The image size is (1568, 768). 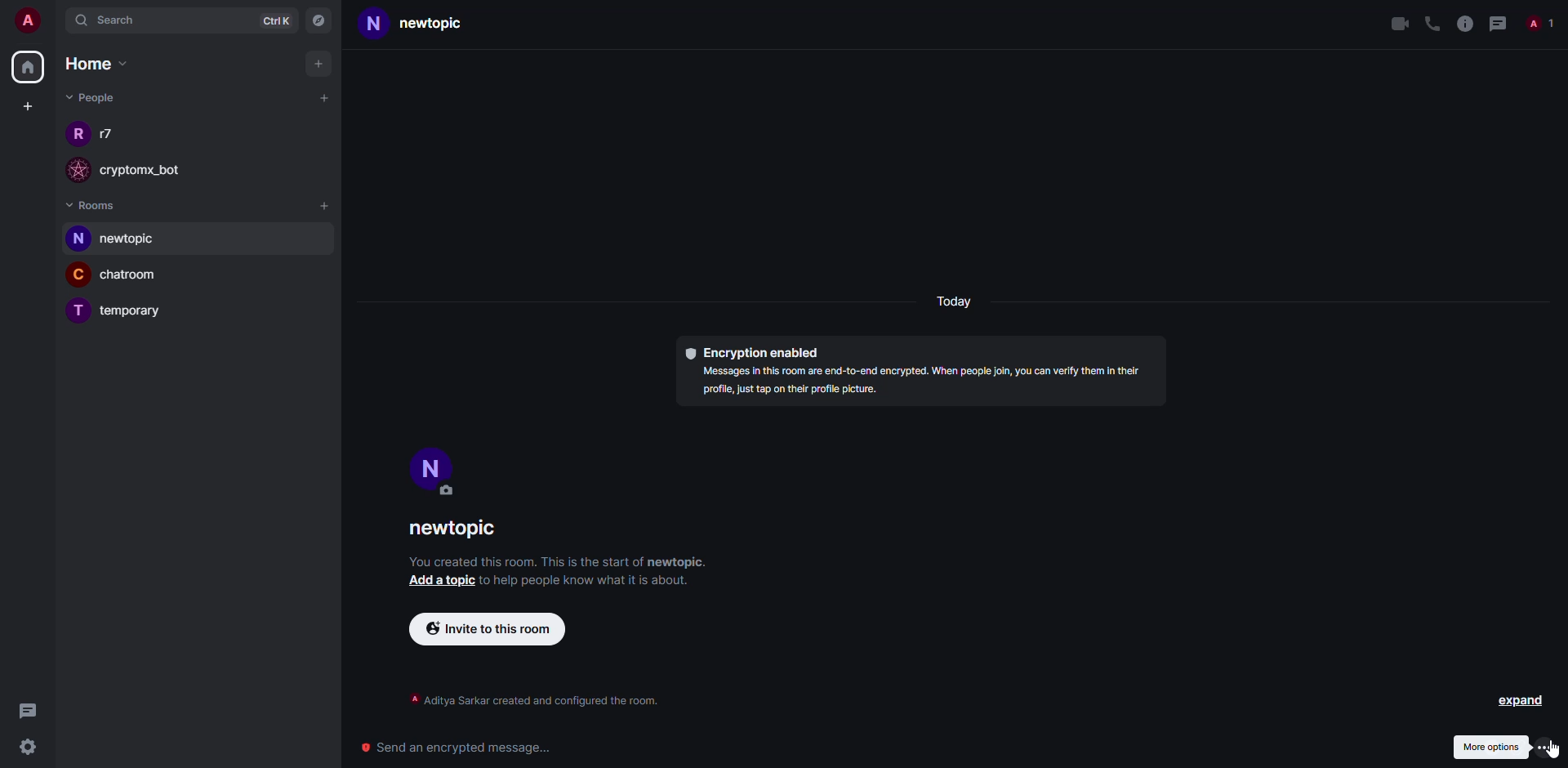 What do you see at coordinates (951, 302) in the screenshot?
I see `day` at bounding box center [951, 302].